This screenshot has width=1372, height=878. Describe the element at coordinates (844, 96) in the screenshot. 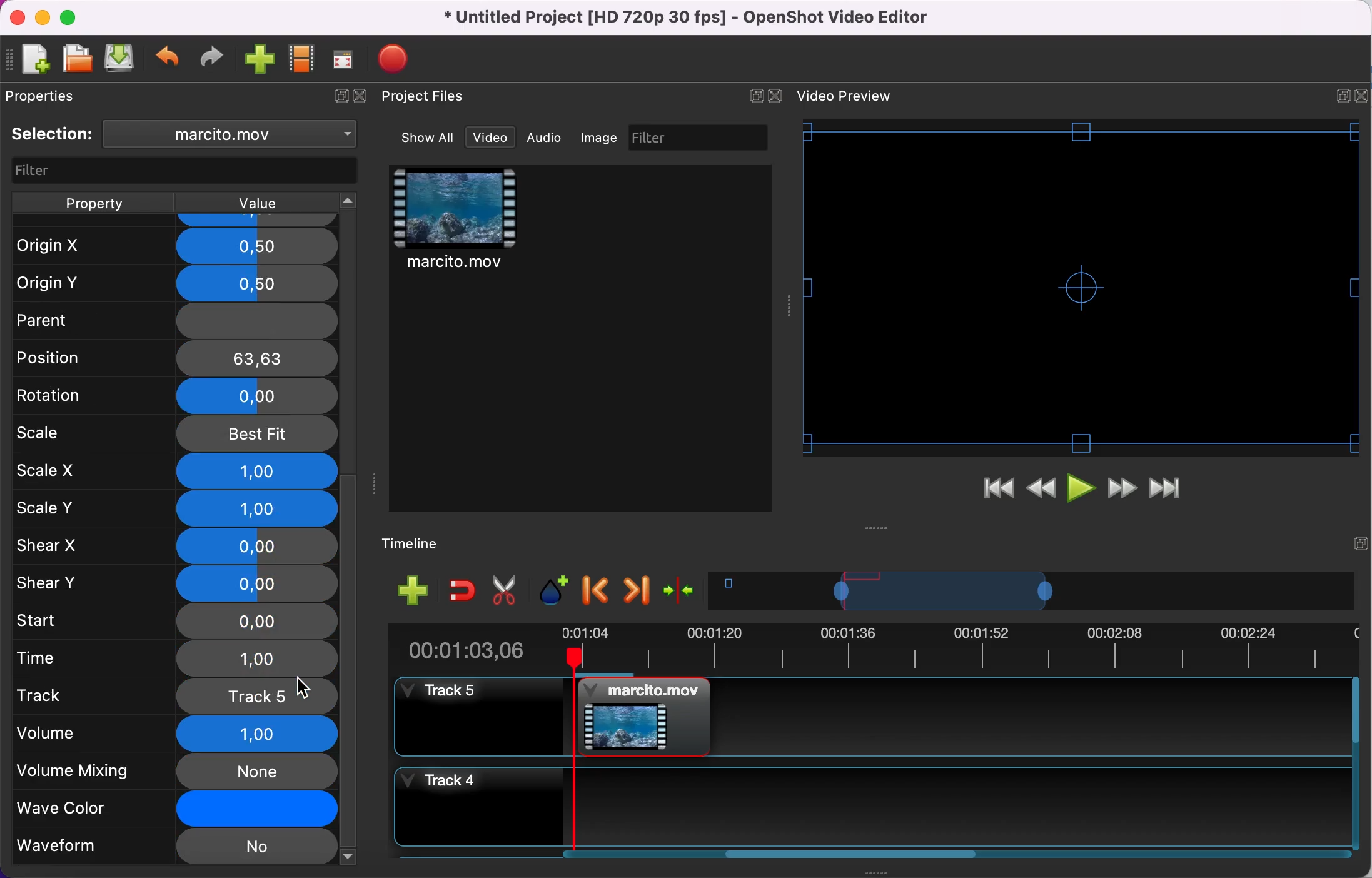

I see `Text` at that location.